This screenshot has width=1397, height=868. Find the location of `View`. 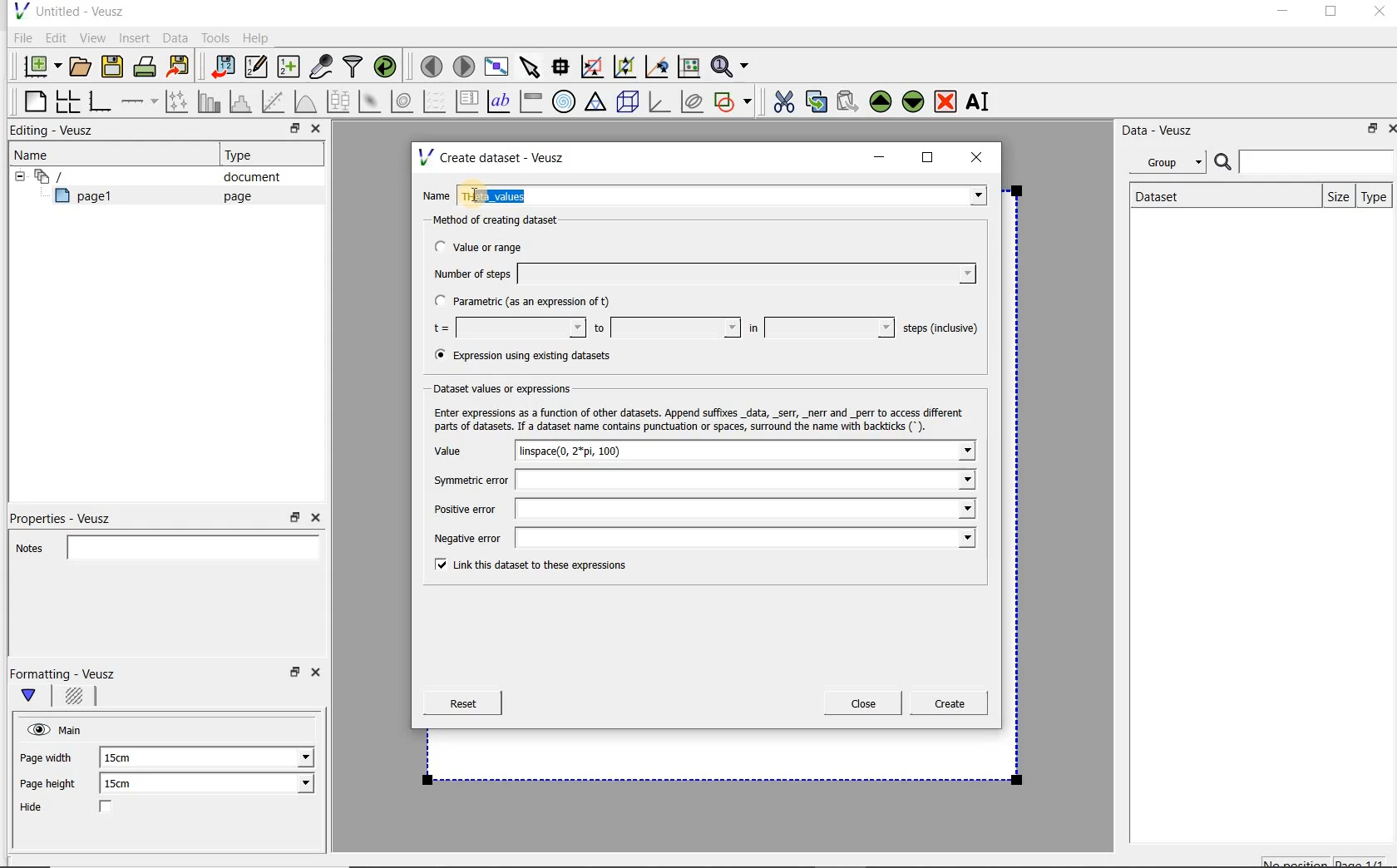

View is located at coordinates (92, 36).